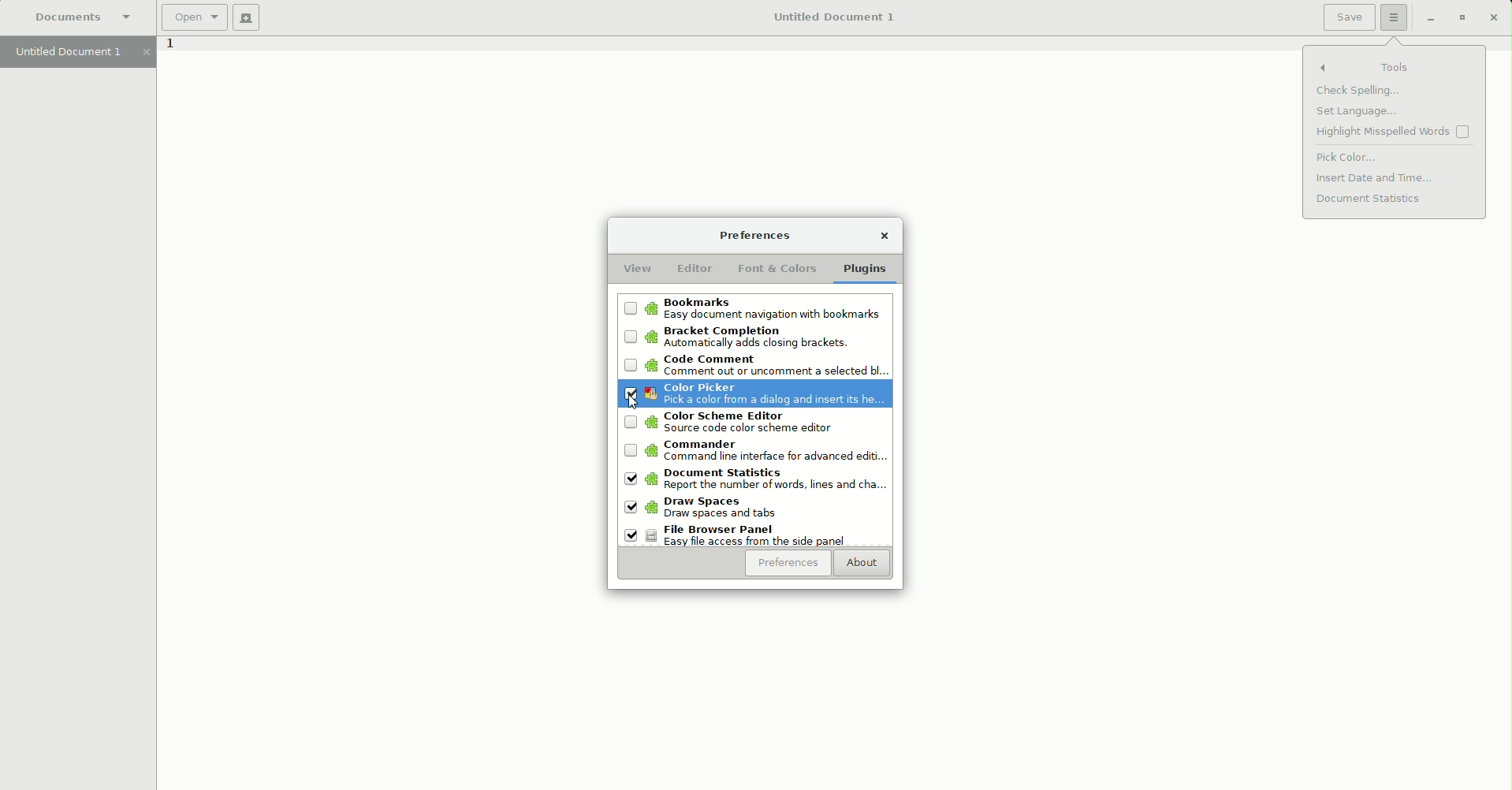  I want to click on Preferences, so click(788, 564).